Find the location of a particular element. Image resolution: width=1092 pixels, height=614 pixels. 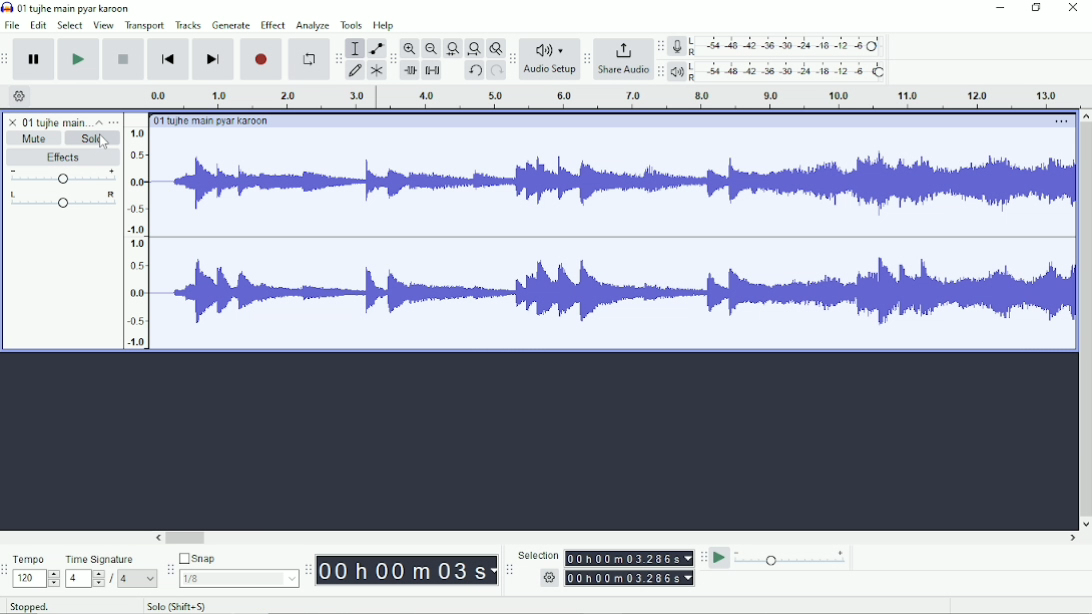

Audacity play-at-speed toolbar is located at coordinates (703, 557).